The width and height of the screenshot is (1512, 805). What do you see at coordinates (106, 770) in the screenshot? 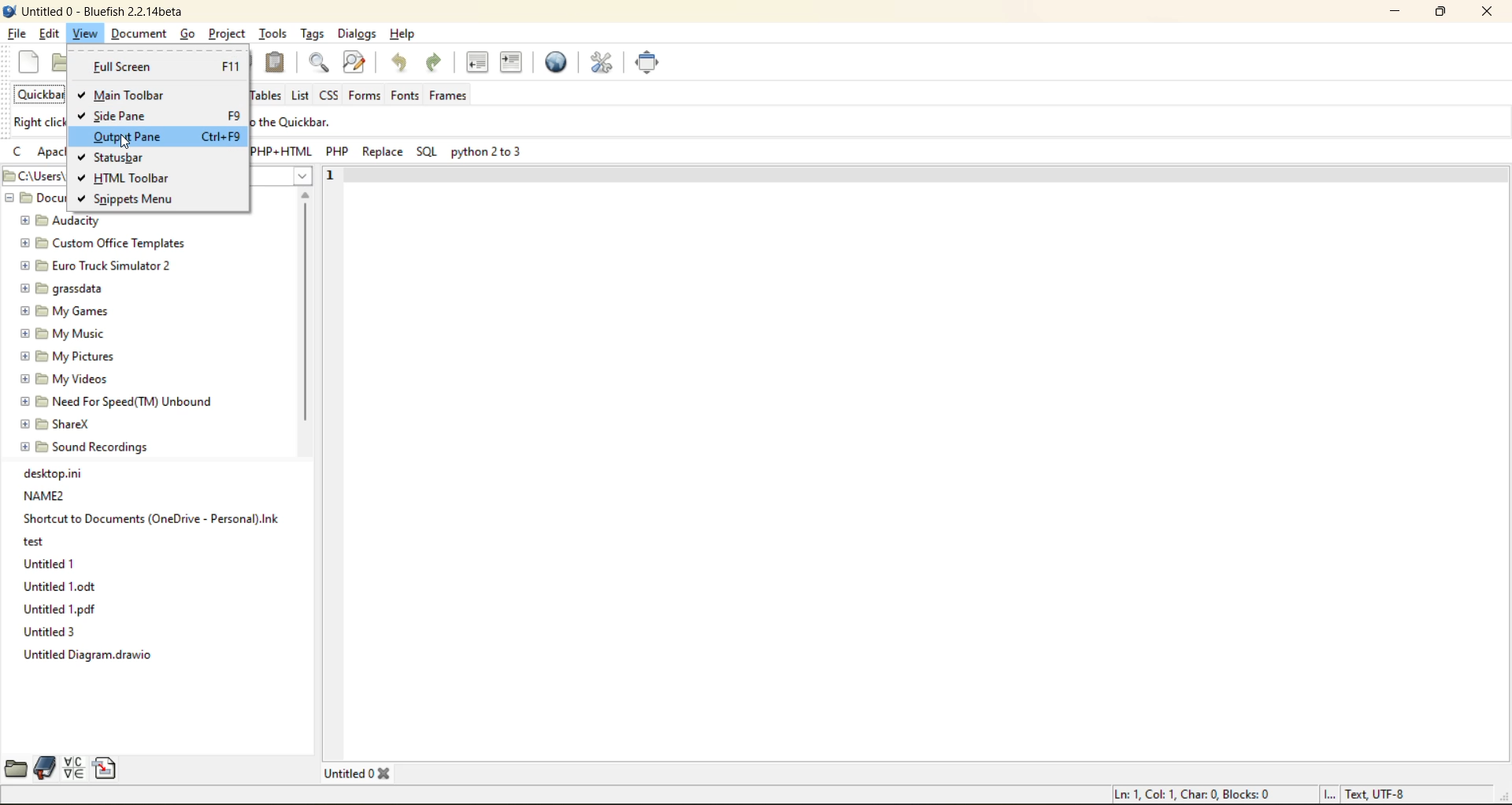
I see `snippets` at bounding box center [106, 770].